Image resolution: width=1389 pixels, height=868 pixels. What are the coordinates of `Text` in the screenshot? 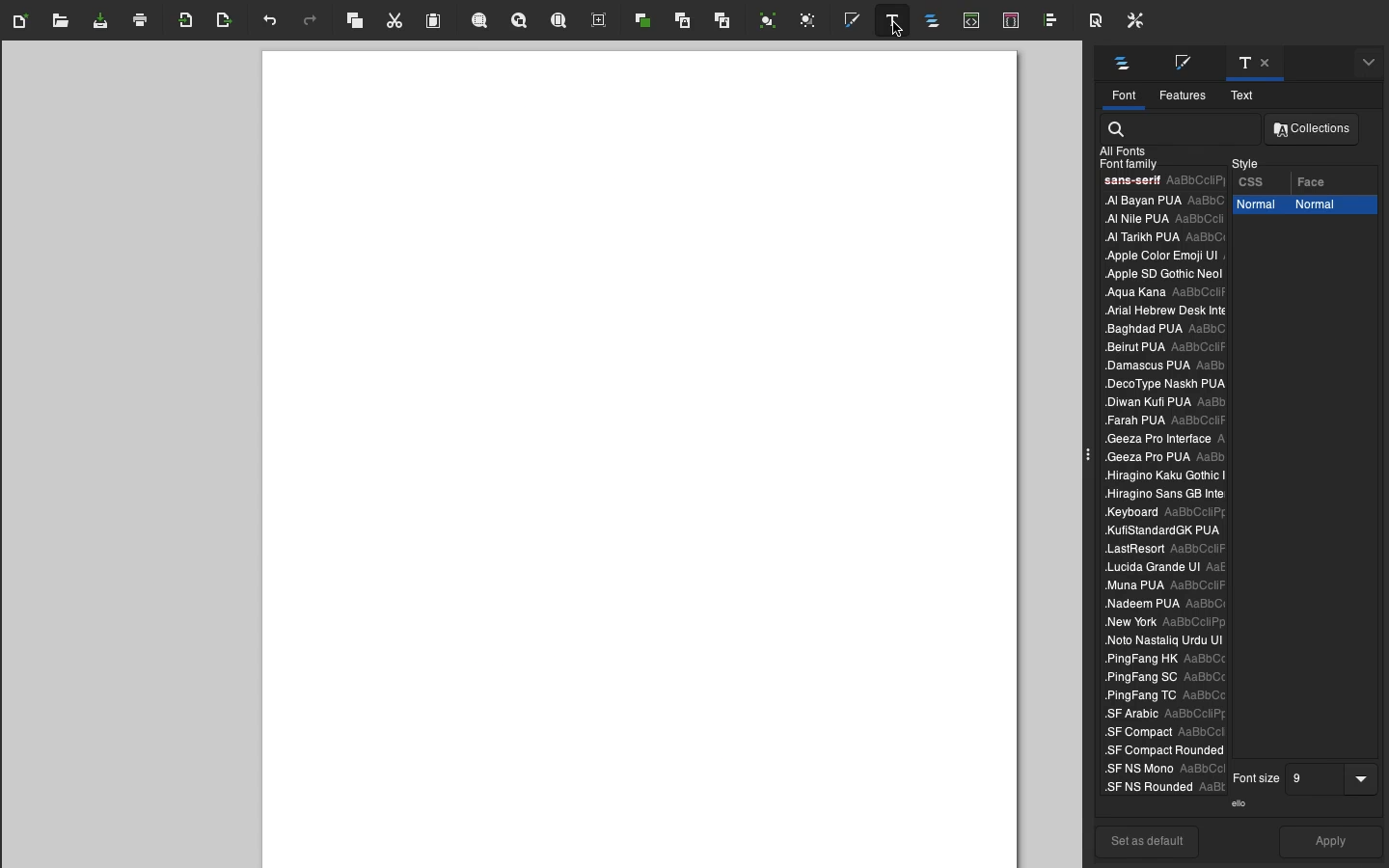 It's located at (1254, 63).